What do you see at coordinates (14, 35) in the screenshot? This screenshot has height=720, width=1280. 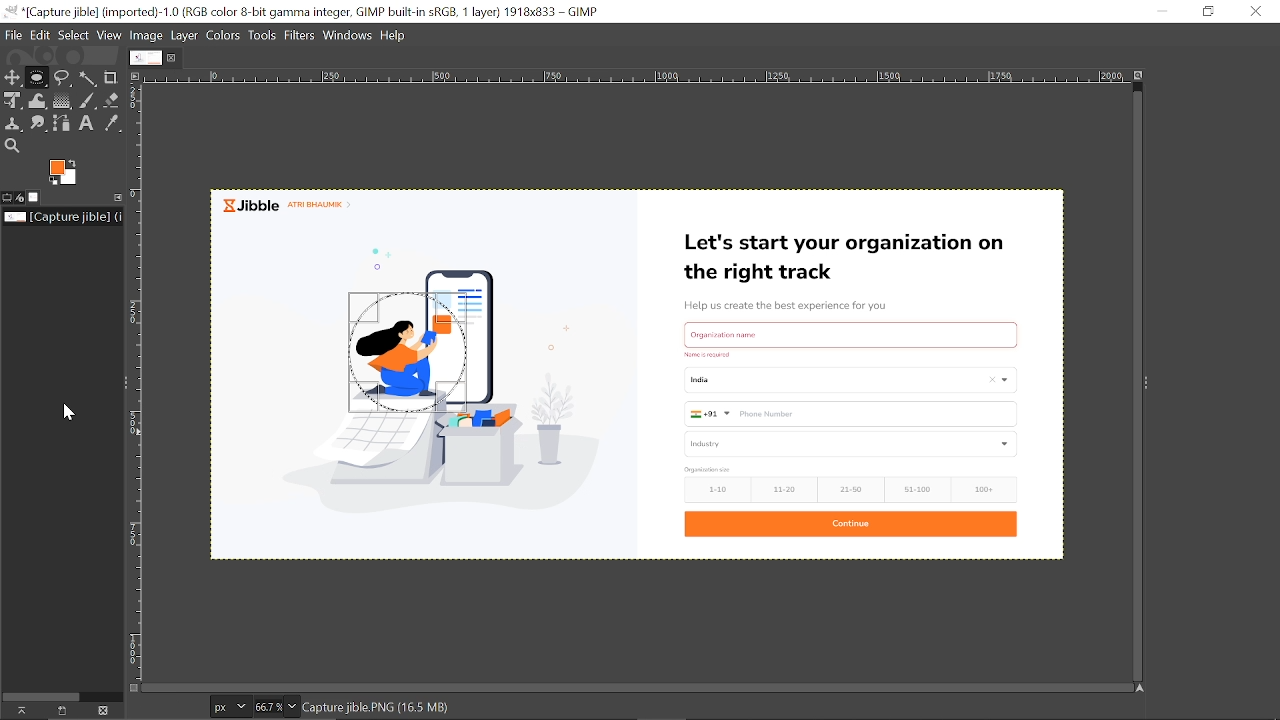 I see `File` at bounding box center [14, 35].